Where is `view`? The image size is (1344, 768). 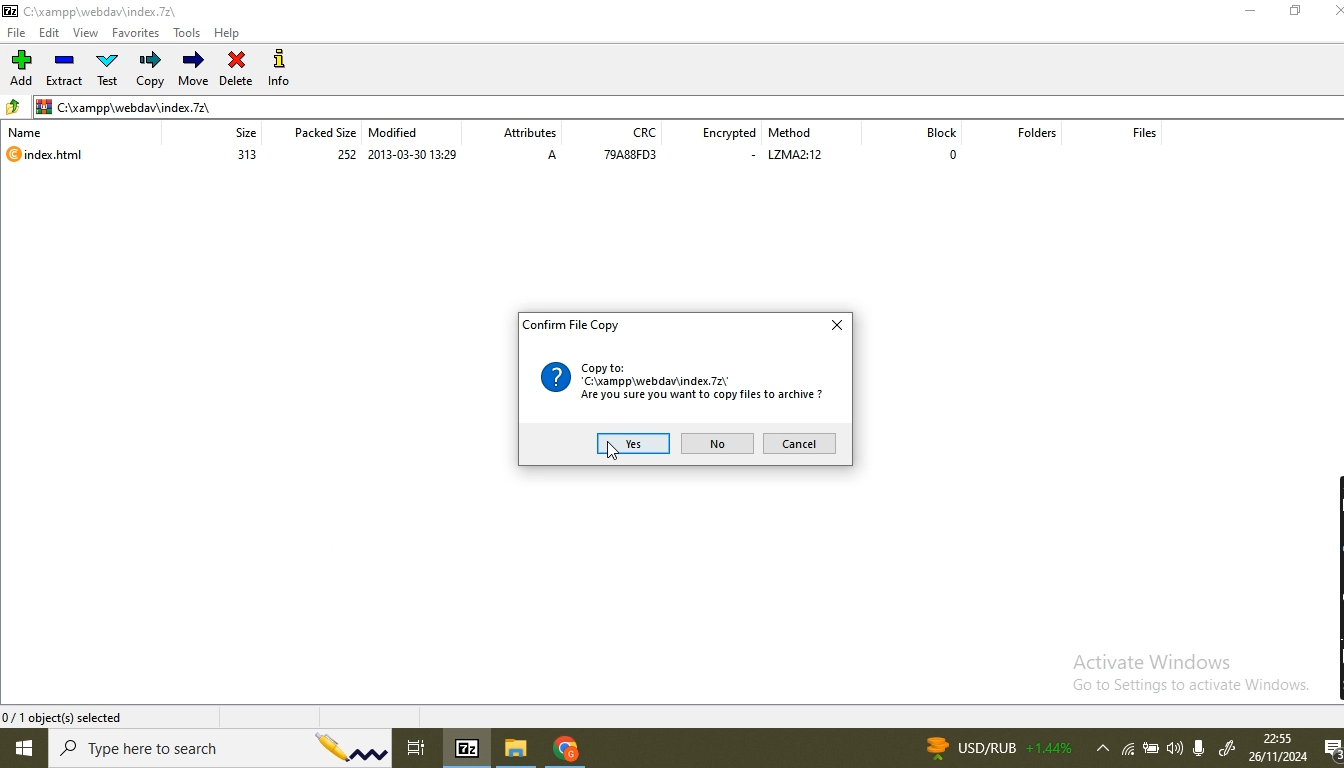 view is located at coordinates (88, 34).